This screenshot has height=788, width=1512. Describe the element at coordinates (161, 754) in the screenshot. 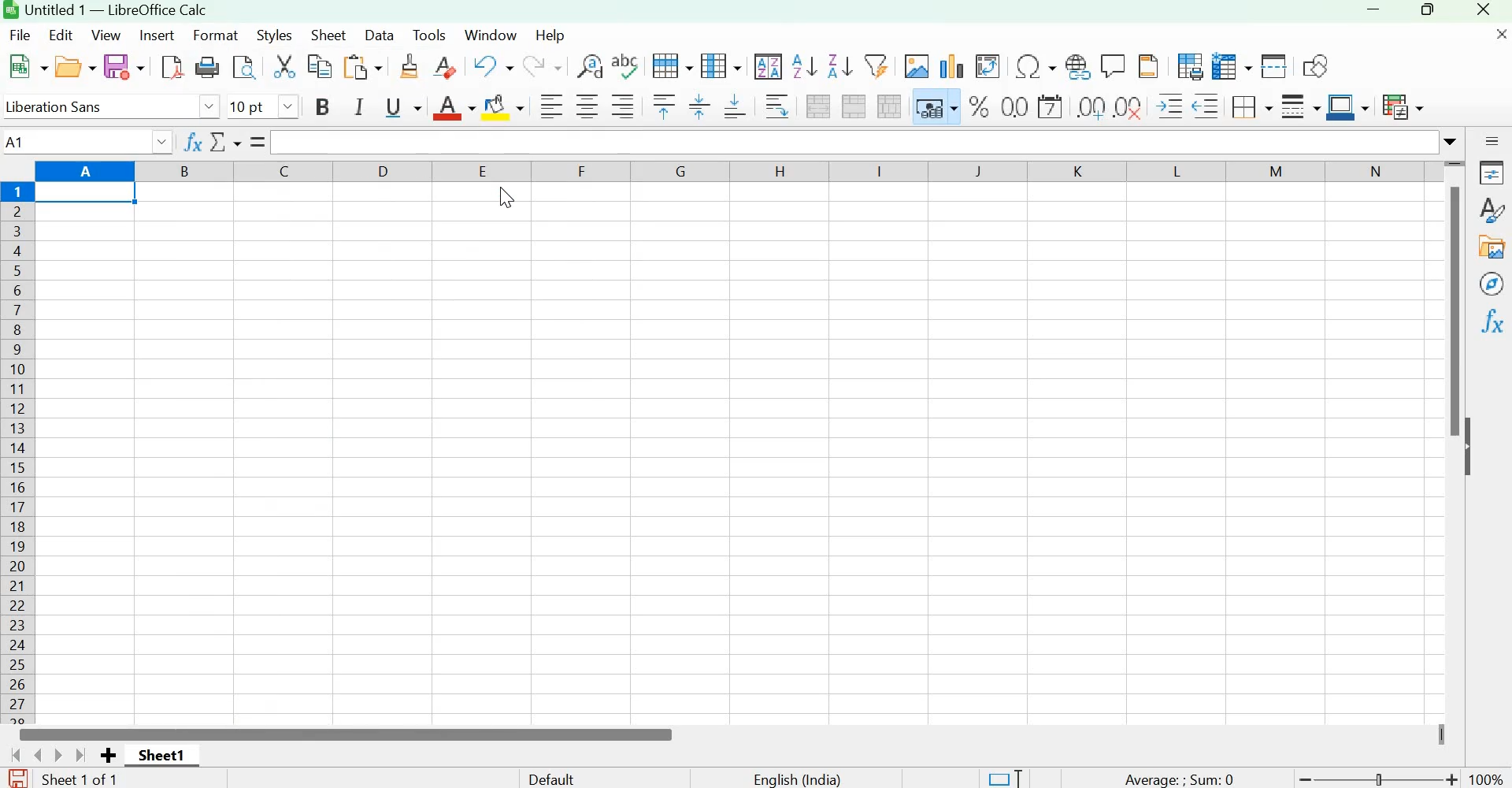

I see `Sheet1` at that location.